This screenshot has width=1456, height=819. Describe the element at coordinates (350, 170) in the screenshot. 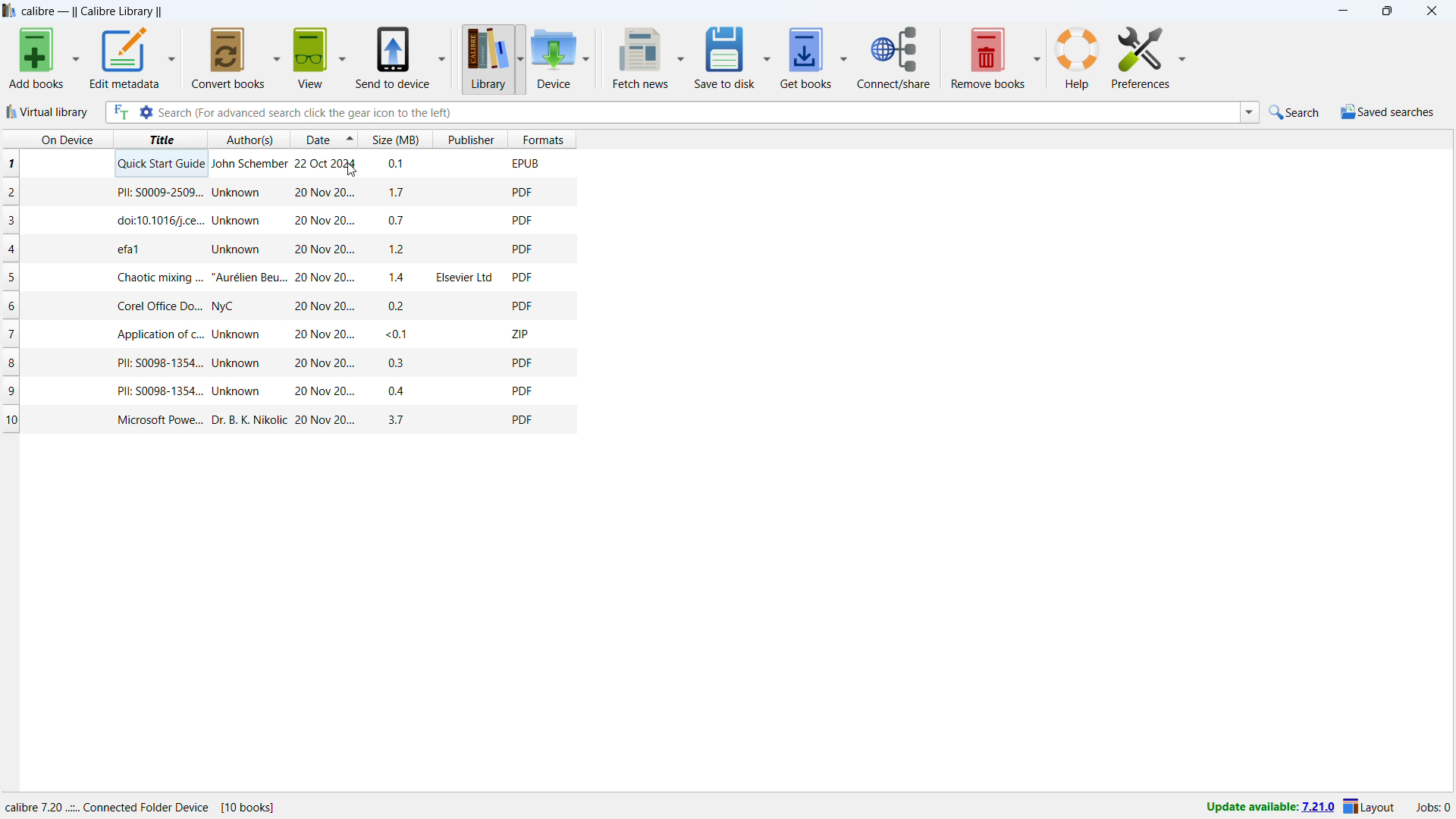

I see `cursor` at that location.